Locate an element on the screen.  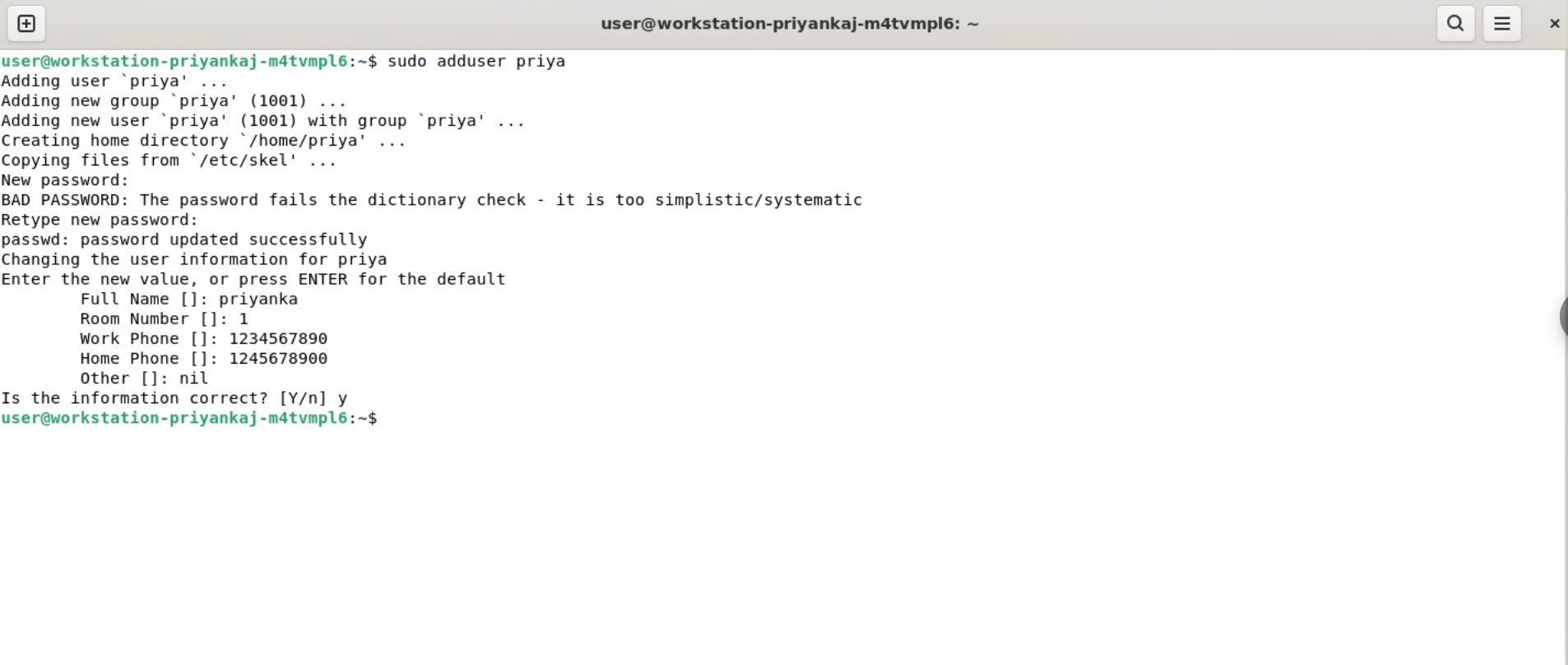
1234567890 is located at coordinates (290, 340).